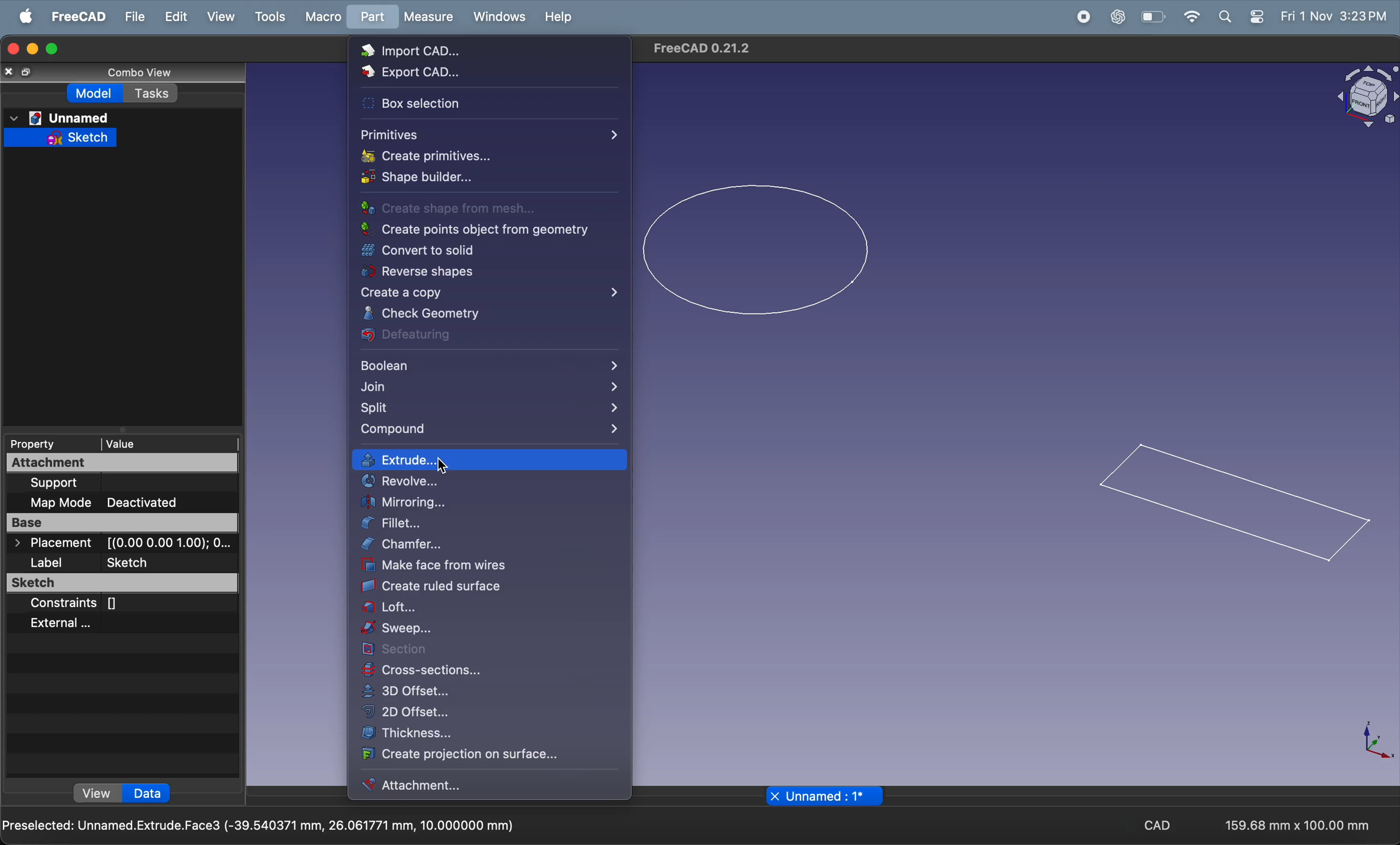 The width and height of the screenshot is (1400, 845). Describe the element at coordinates (459, 671) in the screenshot. I see `Cross-sections...` at that location.